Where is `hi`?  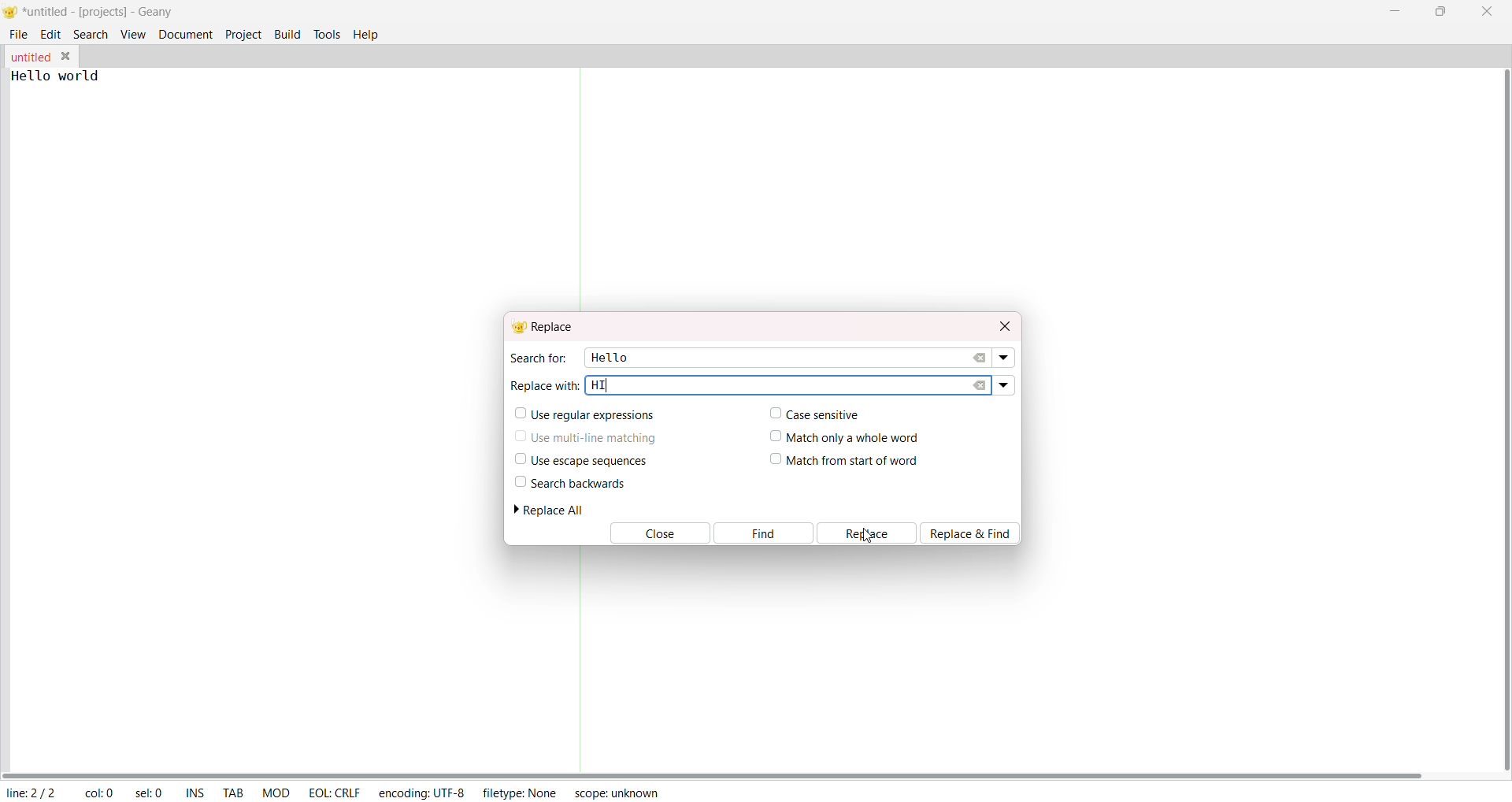 hi is located at coordinates (599, 385).